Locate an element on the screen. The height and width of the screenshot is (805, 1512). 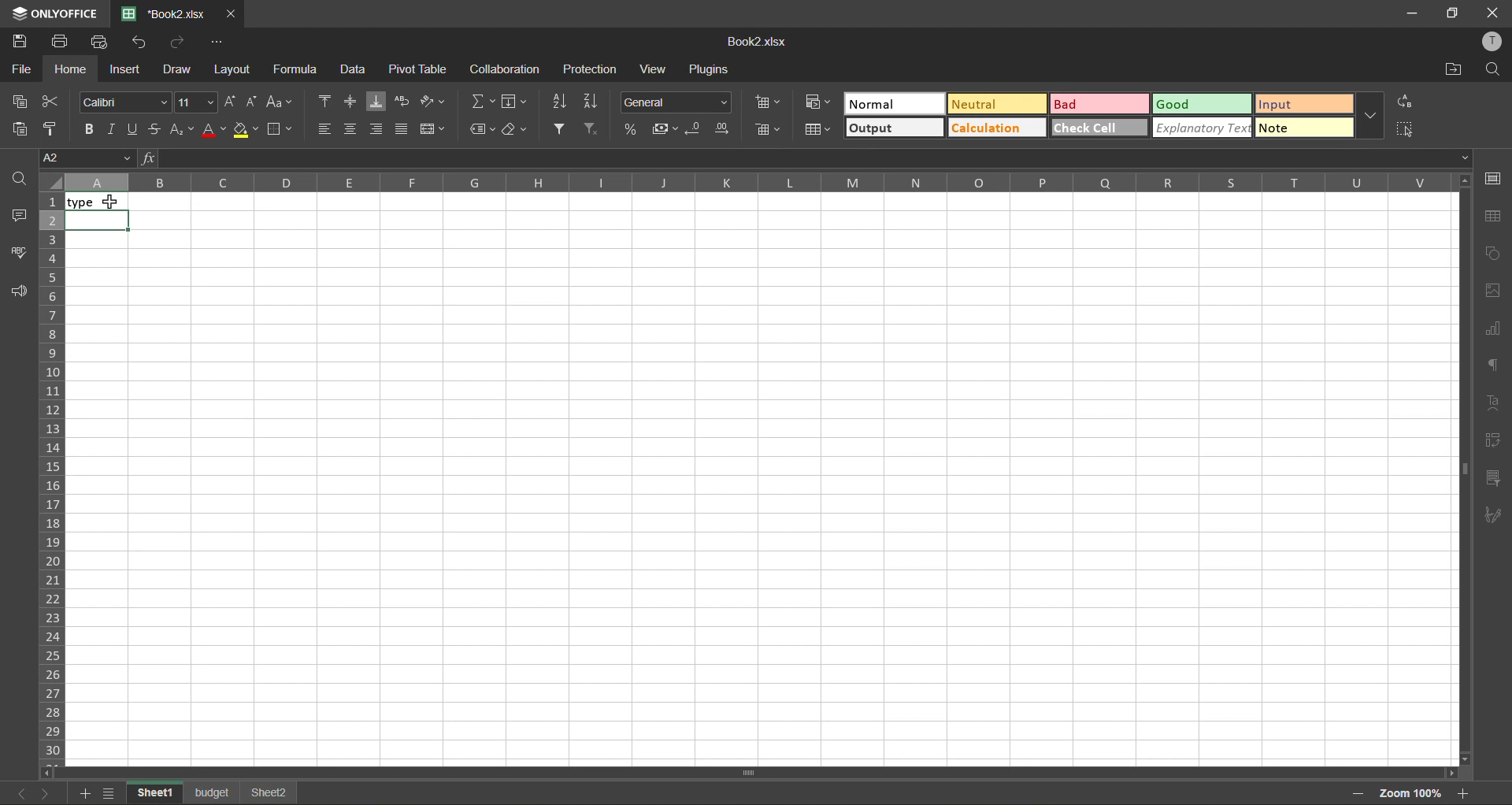
clear is located at coordinates (515, 129).